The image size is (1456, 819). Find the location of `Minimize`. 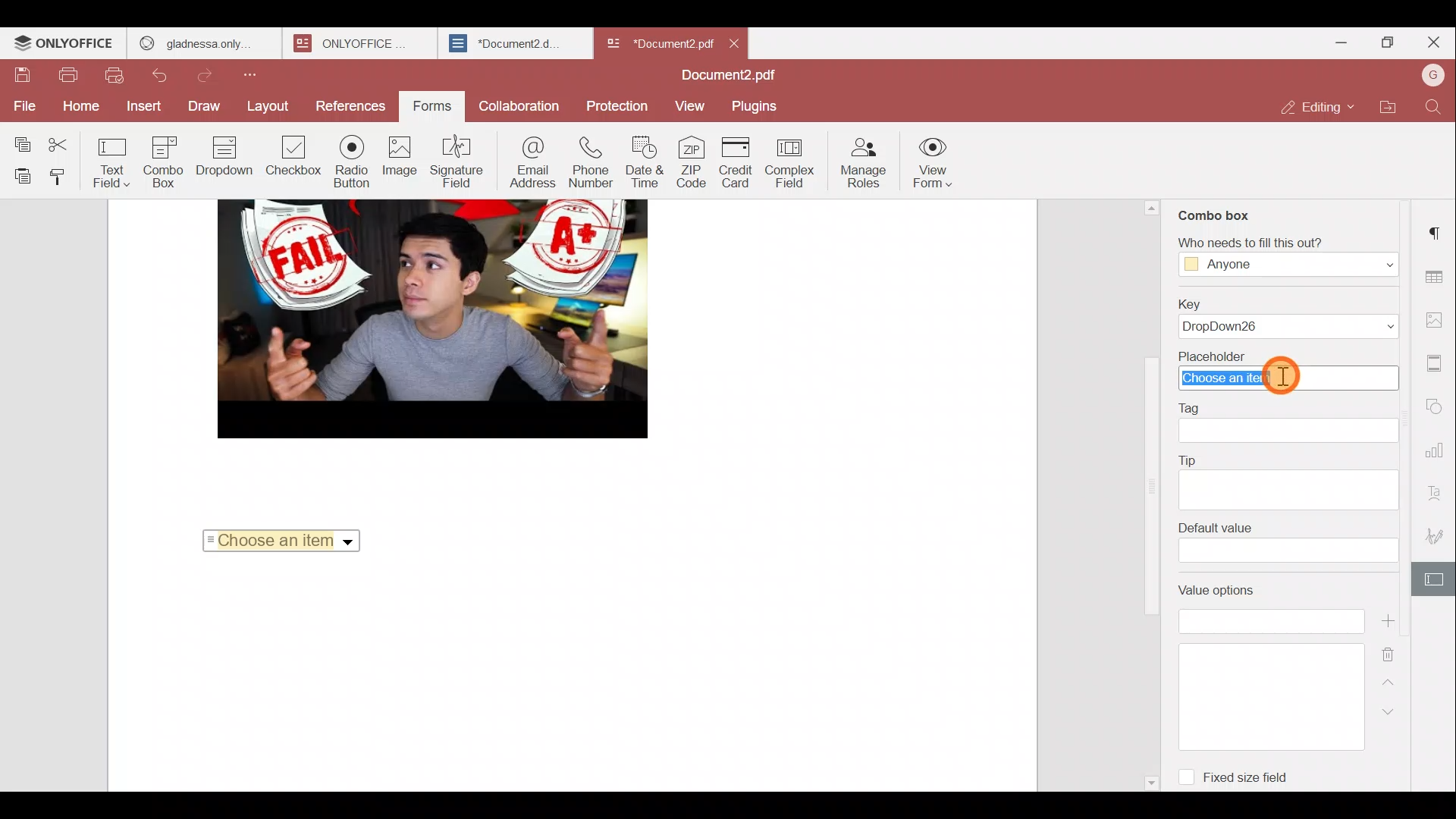

Minimize is located at coordinates (1329, 45).